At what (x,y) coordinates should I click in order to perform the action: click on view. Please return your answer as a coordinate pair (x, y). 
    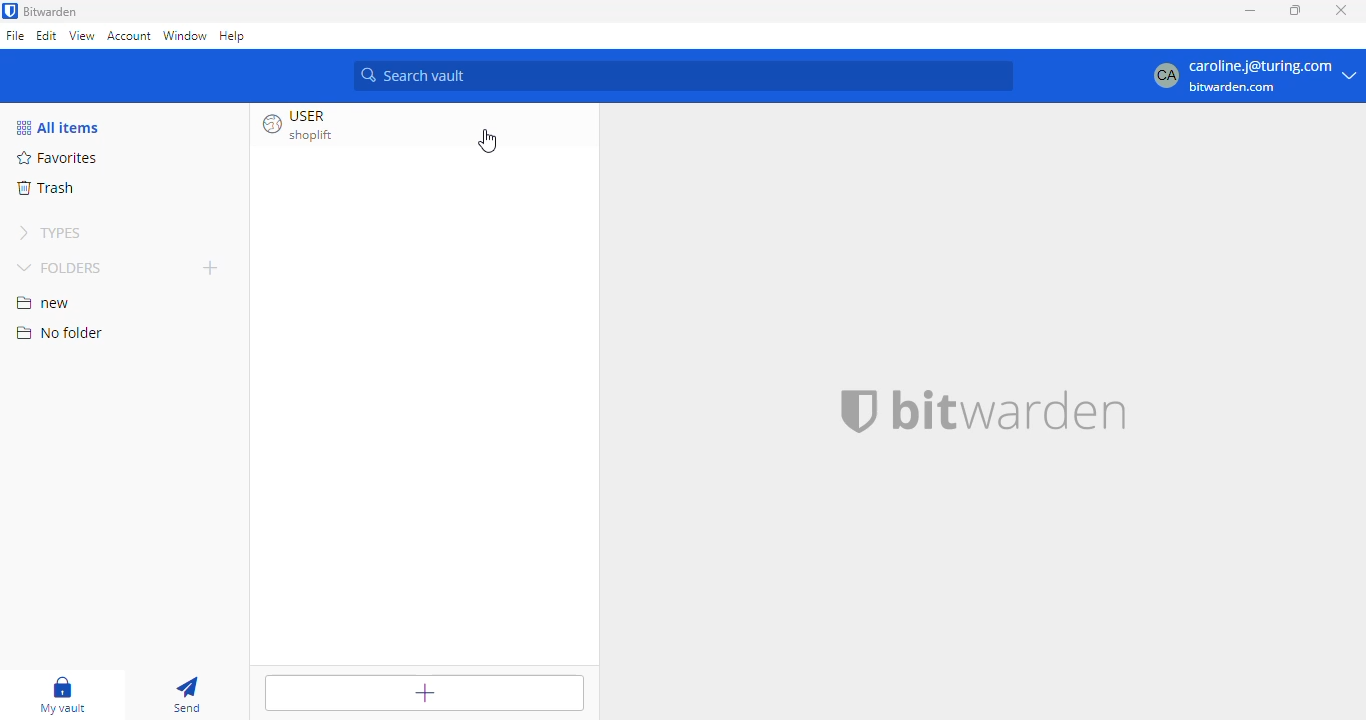
    Looking at the image, I should click on (81, 35).